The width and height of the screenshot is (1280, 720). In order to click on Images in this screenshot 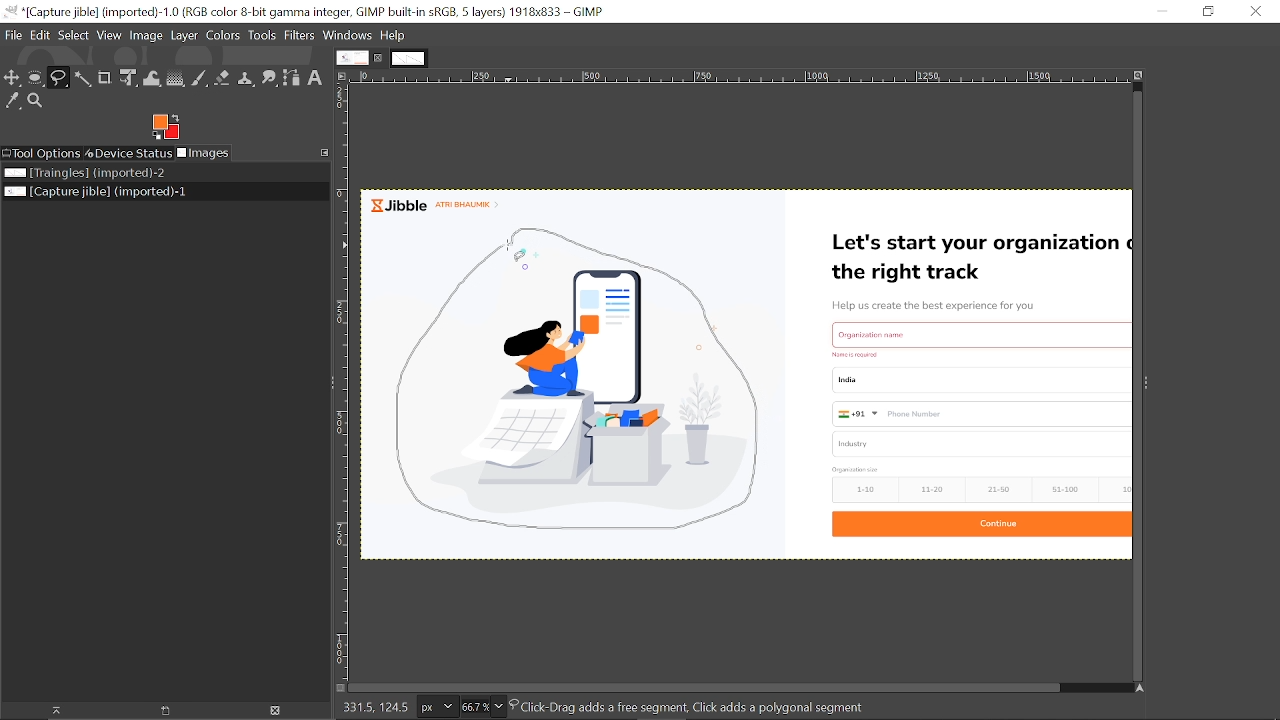, I will do `click(203, 153)`.